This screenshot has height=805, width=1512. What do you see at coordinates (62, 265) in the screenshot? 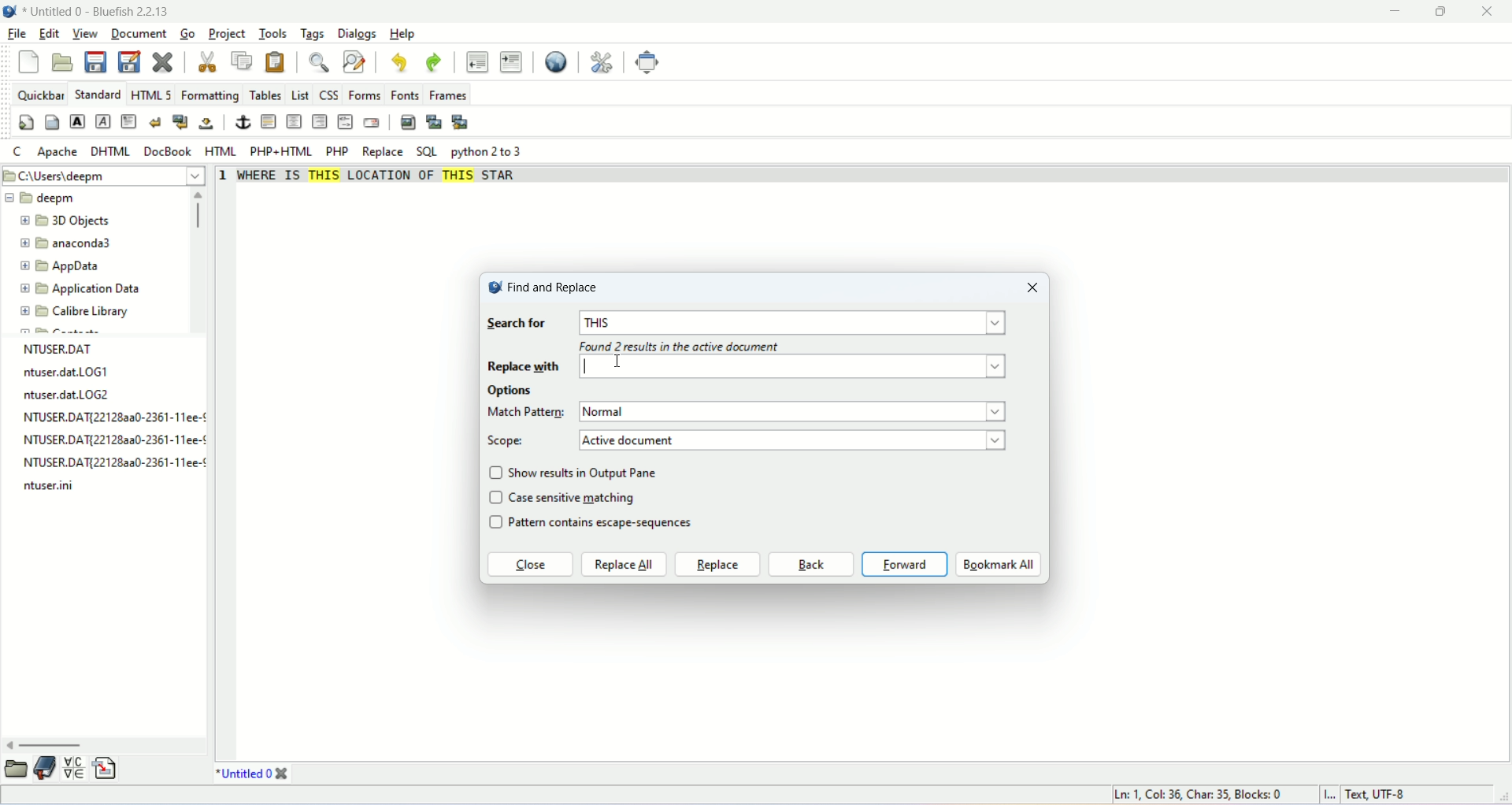
I see `AppData` at bounding box center [62, 265].